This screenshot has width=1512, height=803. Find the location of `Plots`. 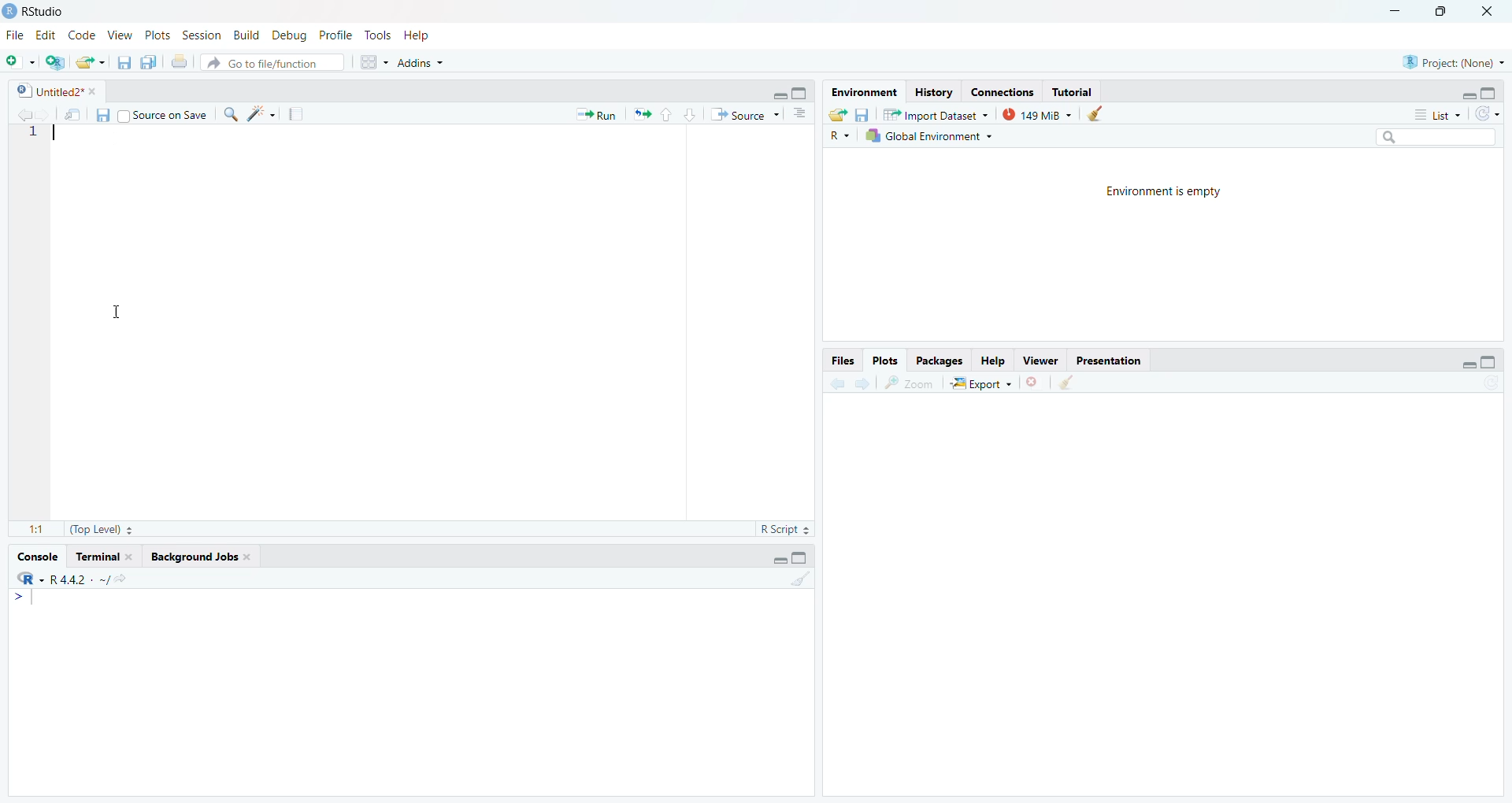

Plots is located at coordinates (157, 35).